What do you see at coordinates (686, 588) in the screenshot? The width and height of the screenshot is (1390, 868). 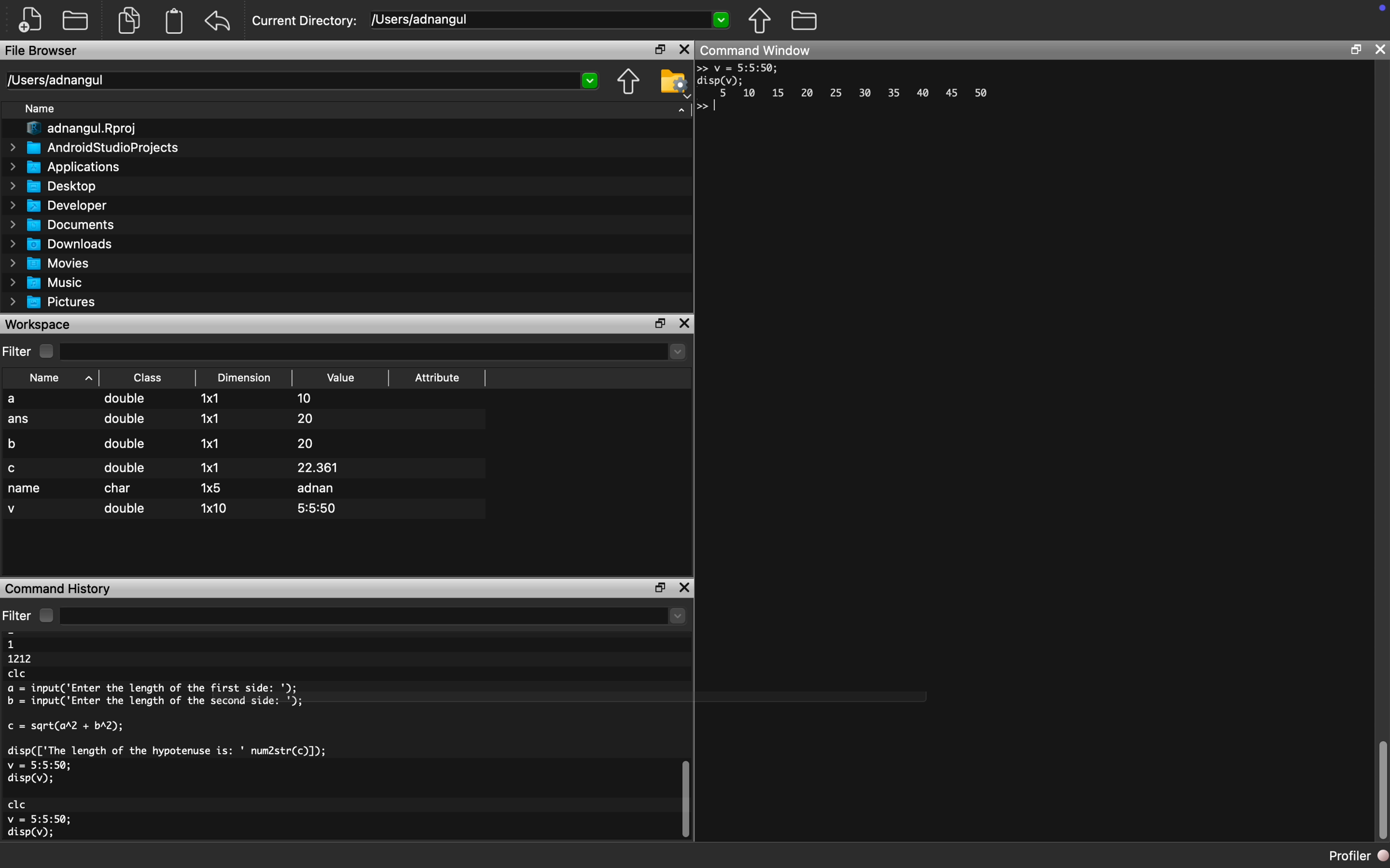 I see `close` at bounding box center [686, 588].